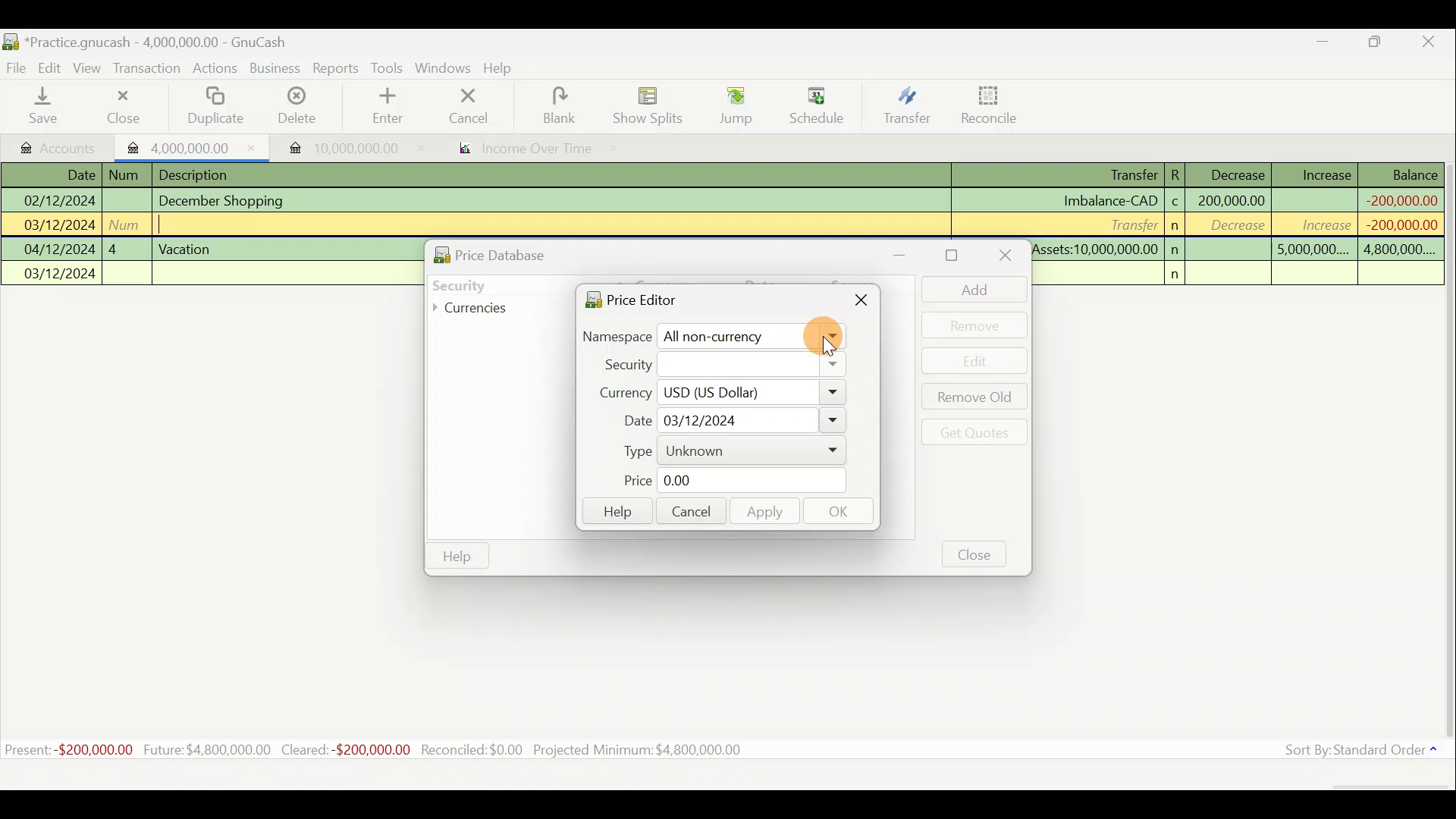 Image resolution: width=1456 pixels, height=819 pixels. Describe the element at coordinates (904, 108) in the screenshot. I see `Transfer` at that location.